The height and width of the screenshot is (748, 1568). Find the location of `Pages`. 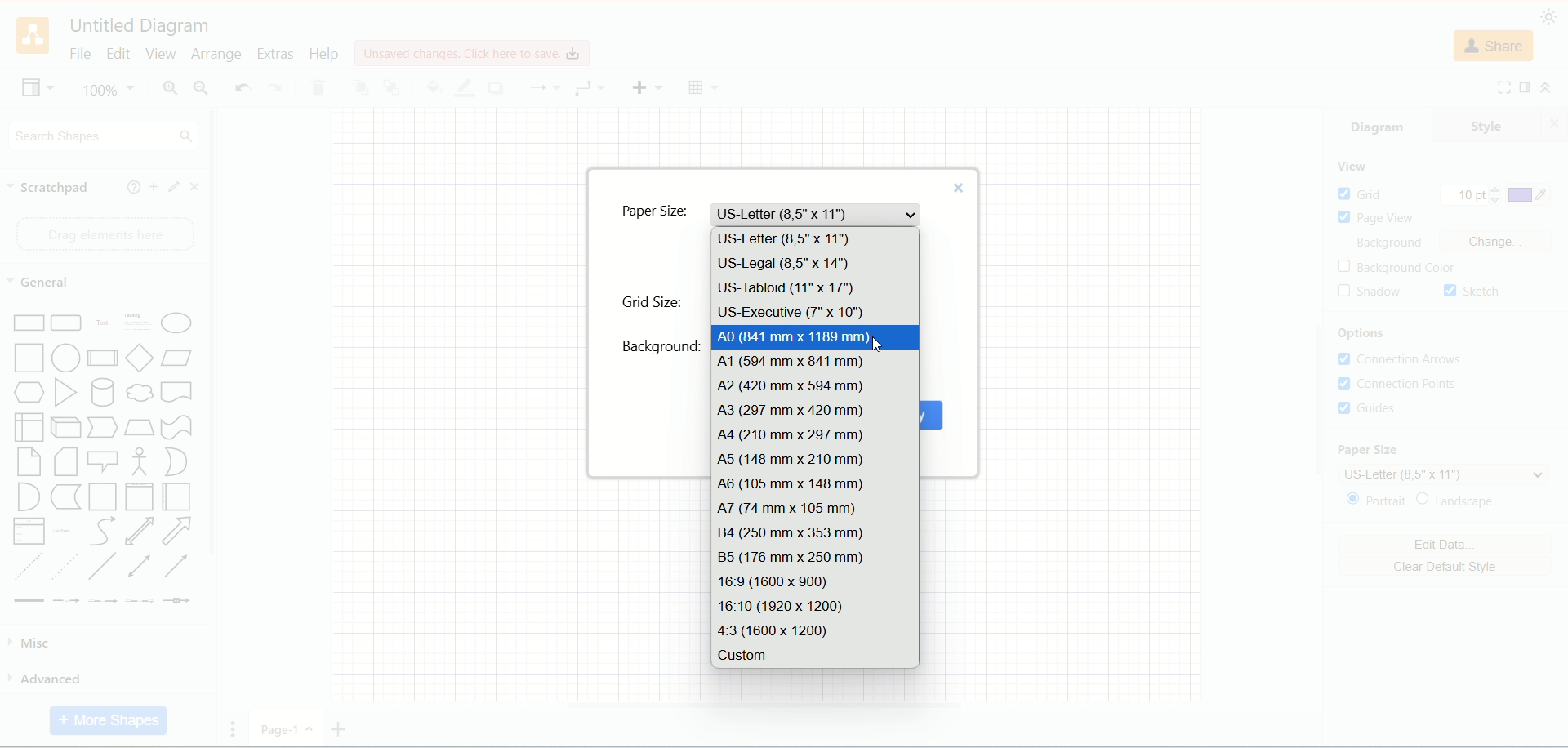

Pages is located at coordinates (237, 733).